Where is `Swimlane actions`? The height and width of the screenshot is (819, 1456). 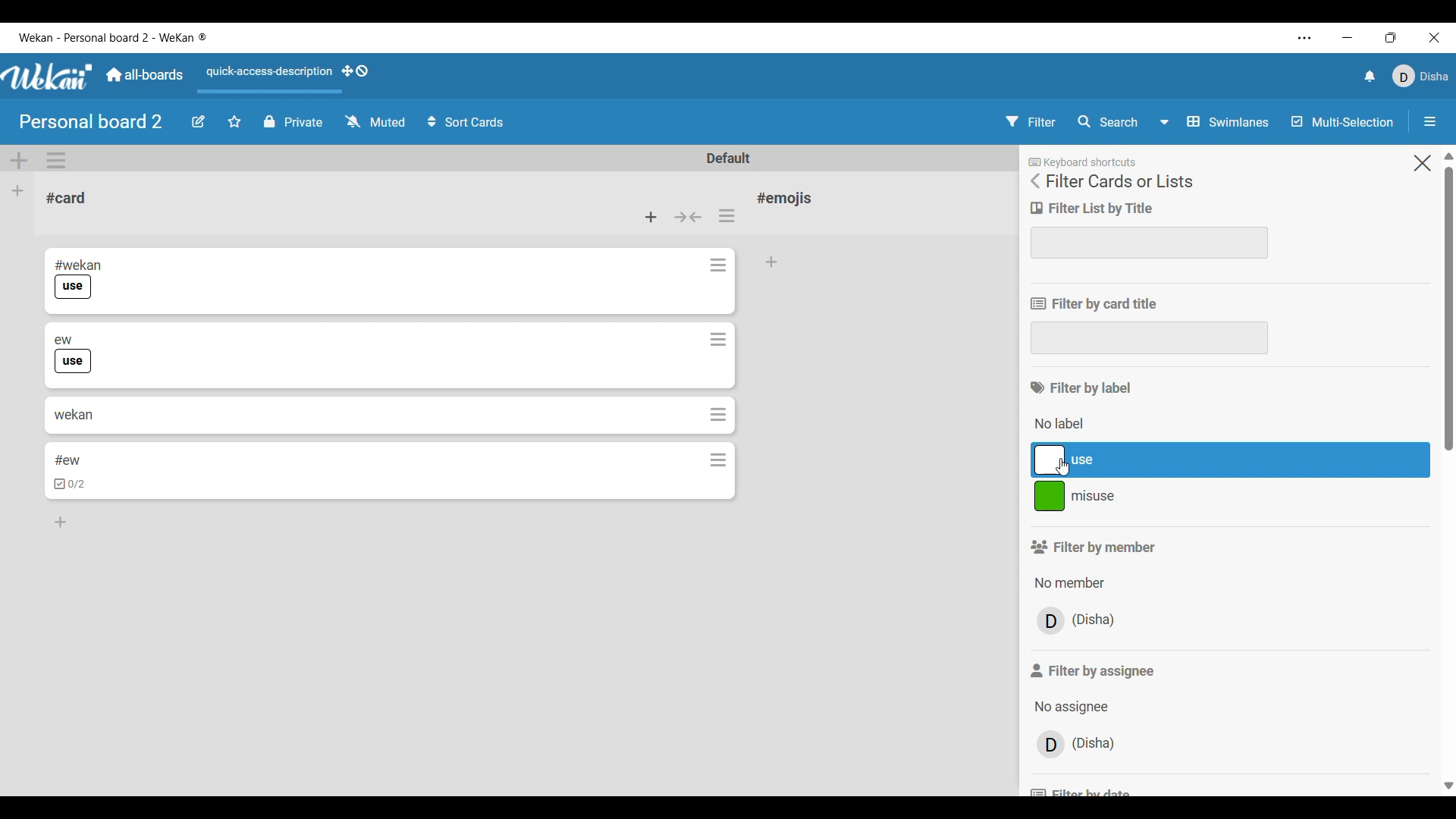
Swimlane actions is located at coordinates (56, 160).